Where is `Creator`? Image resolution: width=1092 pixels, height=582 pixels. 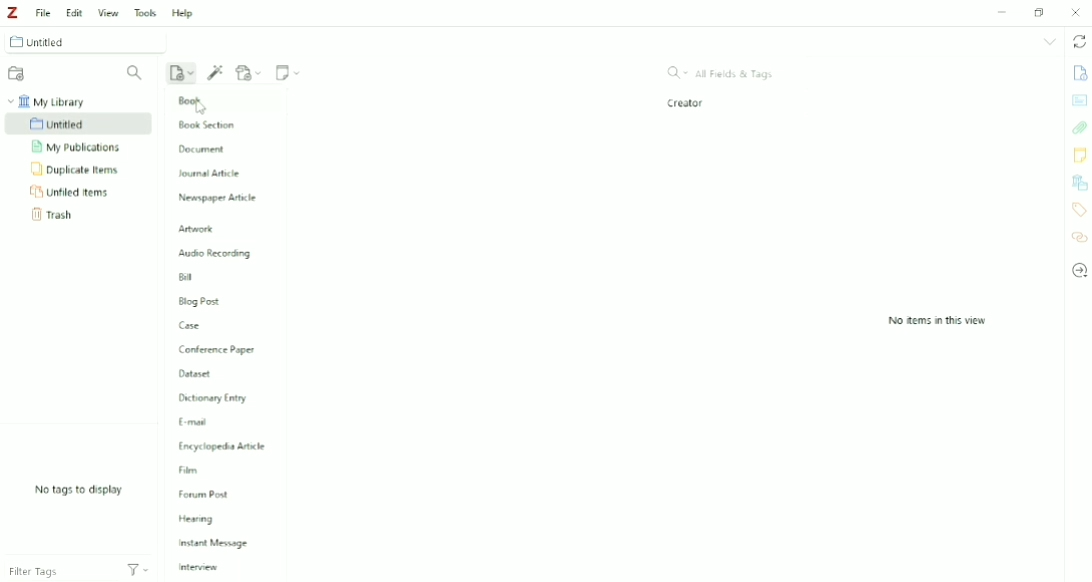 Creator is located at coordinates (687, 104).